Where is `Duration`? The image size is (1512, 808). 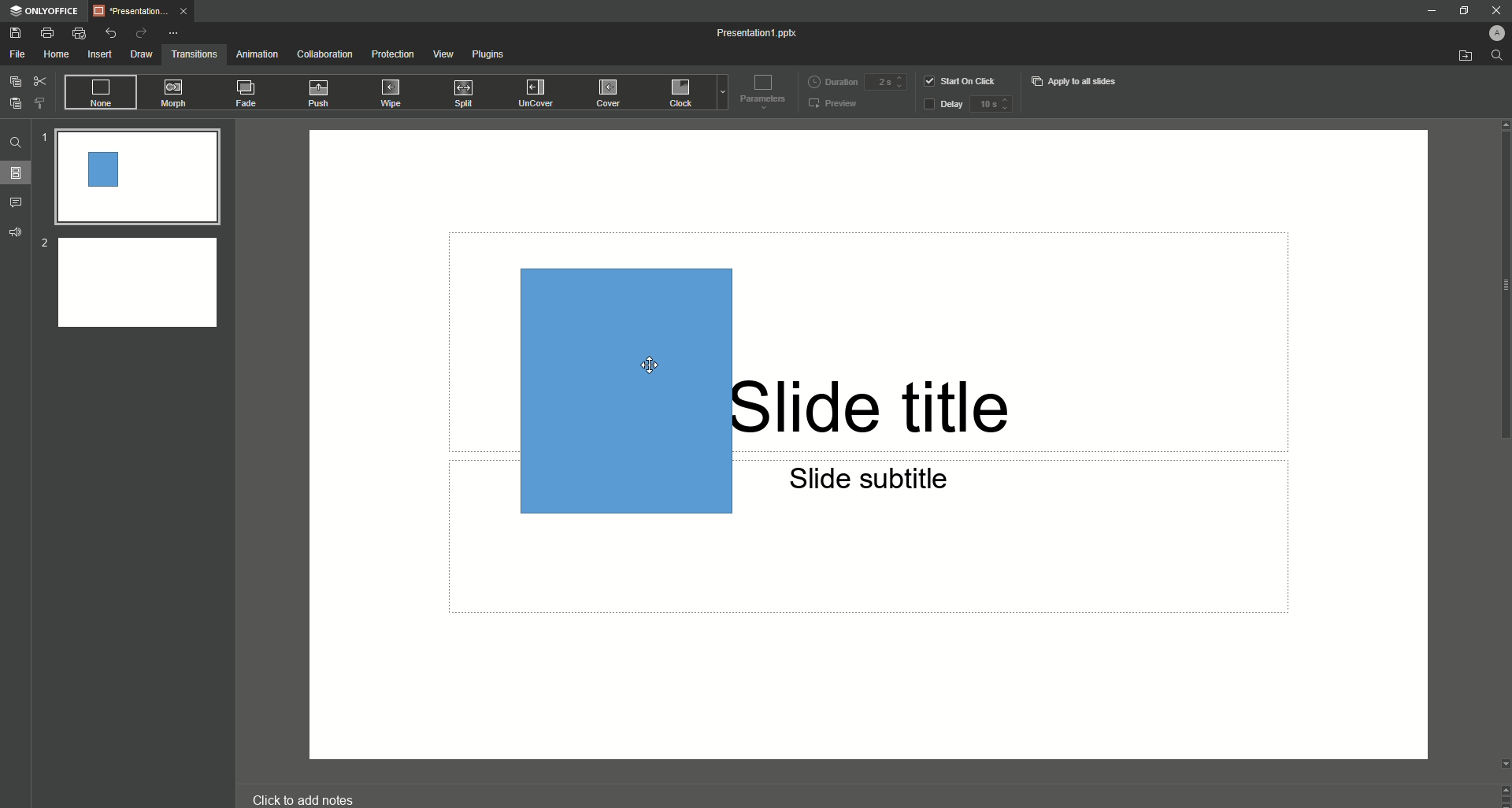 Duration is located at coordinates (826, 80).